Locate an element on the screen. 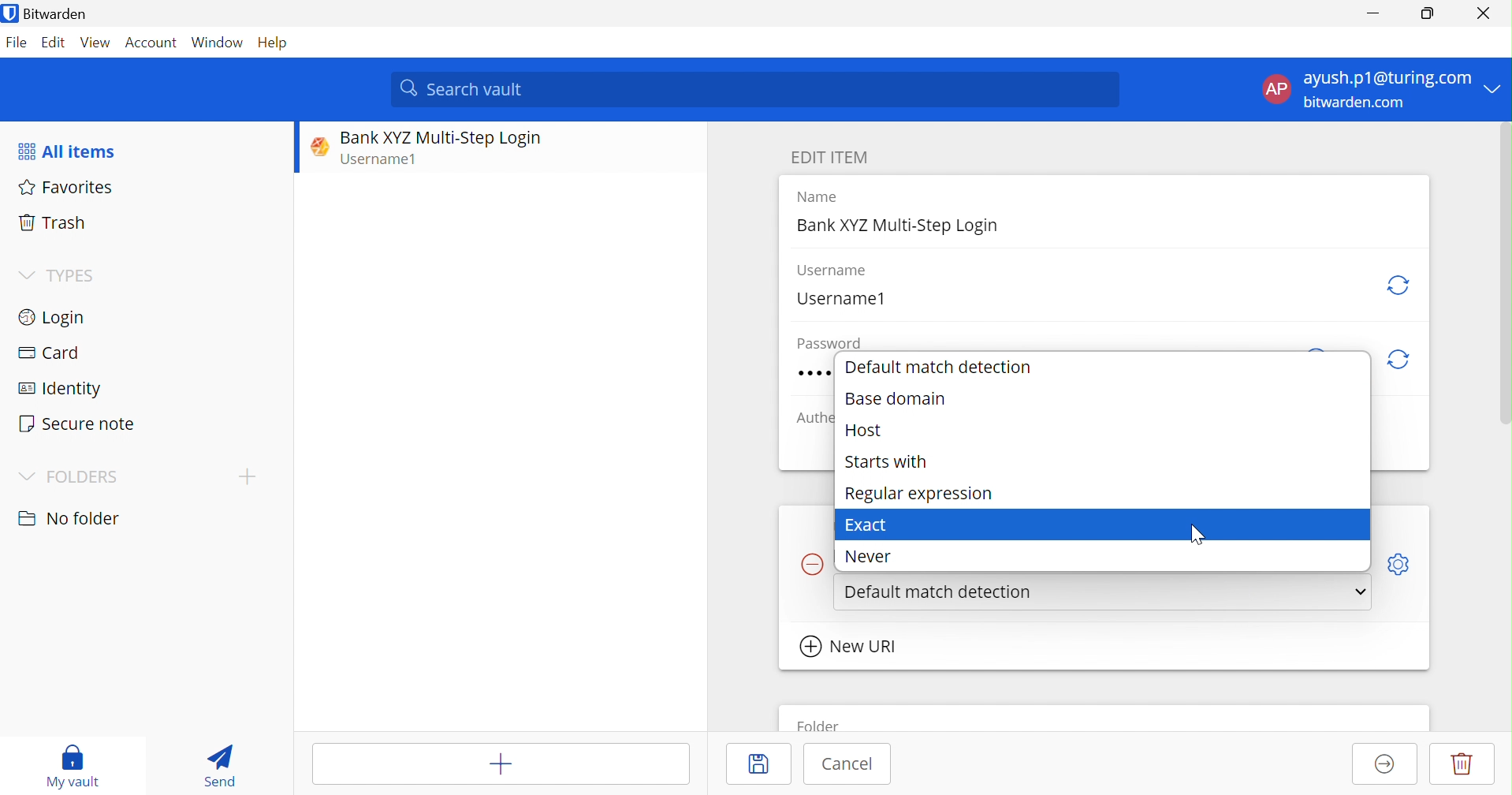 The width and height of the screenshot is (1512, 795). Username1 is located at coordinates (840, 300).